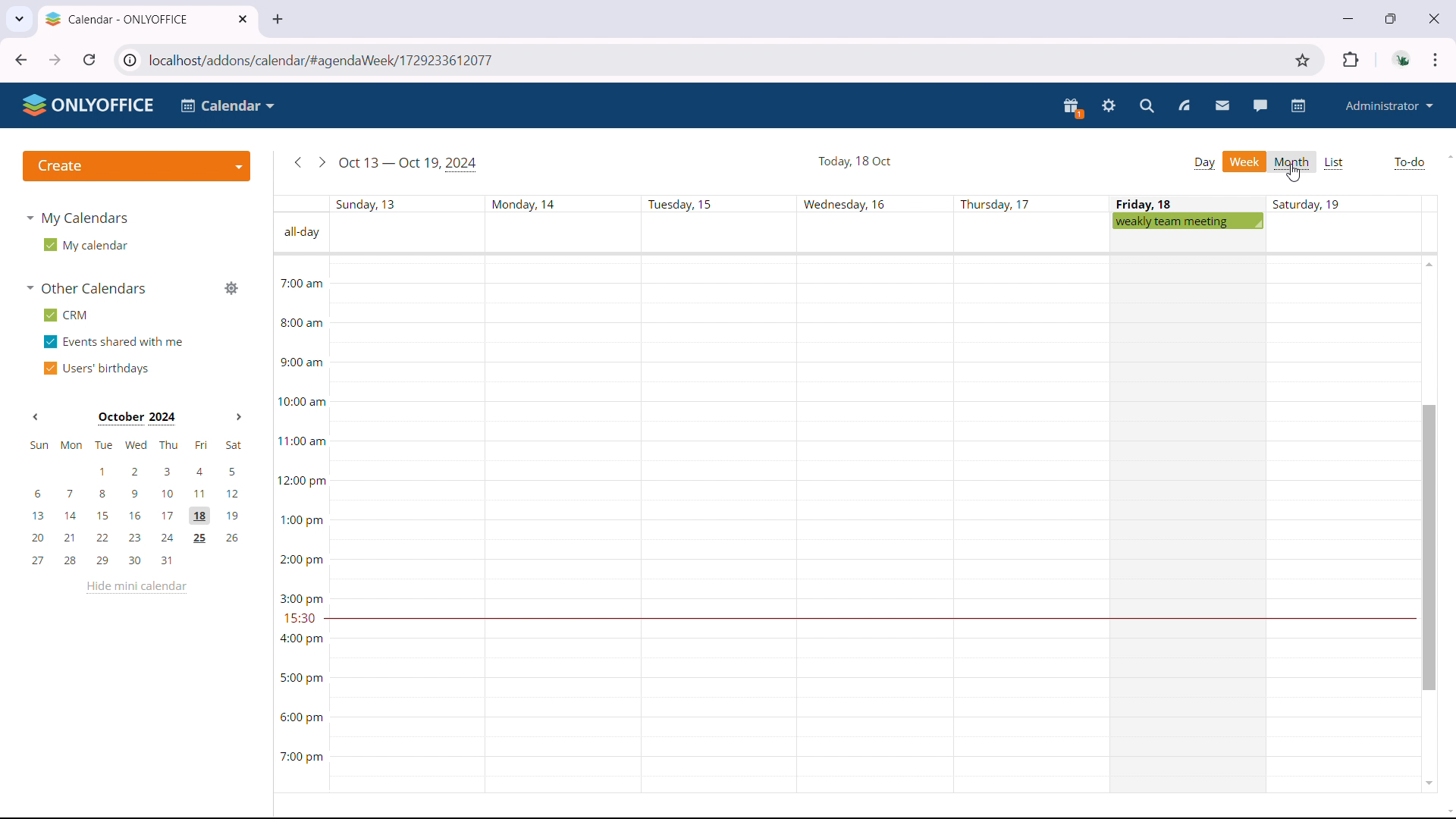 This screenshot has height=819, width=1456. Describe the element at coordinates (1293, 162) in the screenshot. I see `month view` at that location.